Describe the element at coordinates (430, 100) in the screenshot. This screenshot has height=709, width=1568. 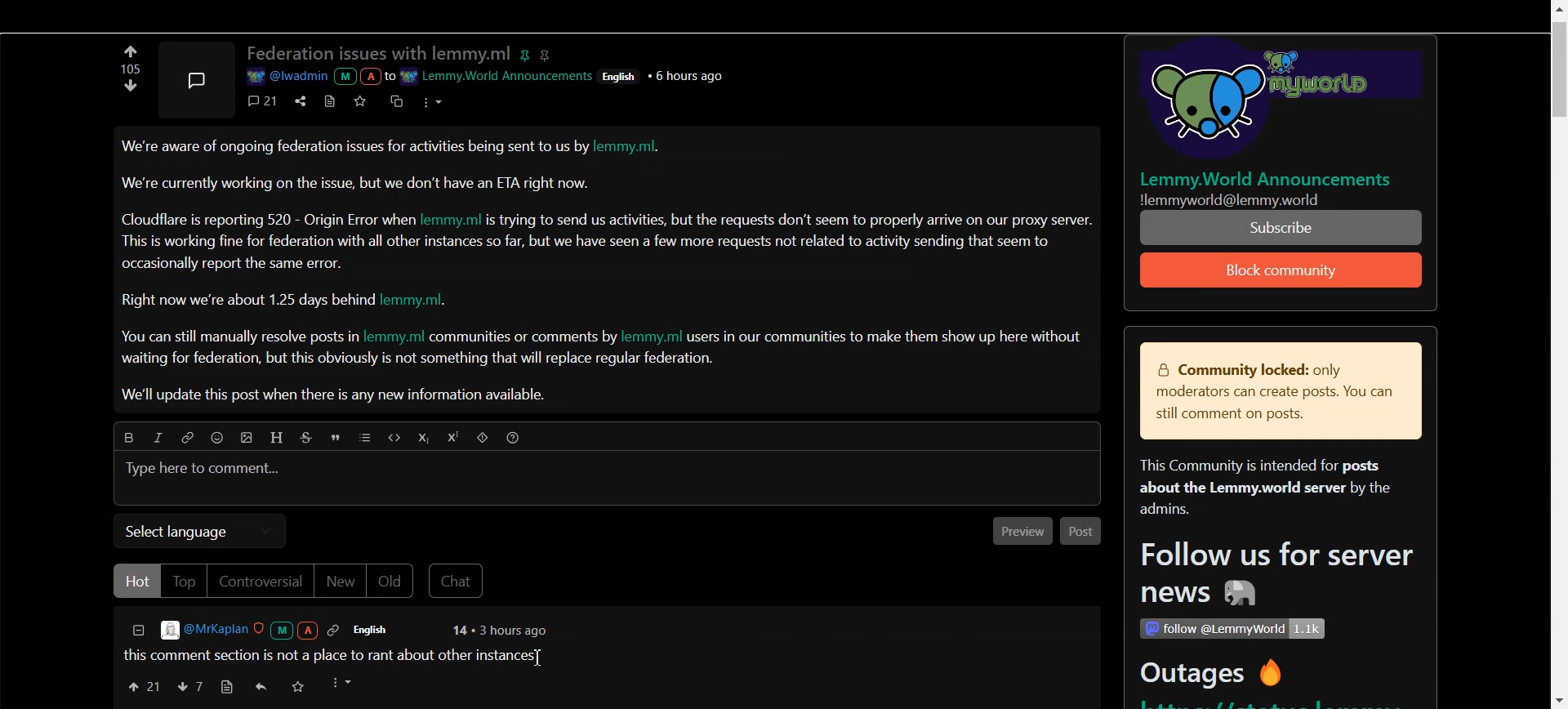
I see `options` at that location.